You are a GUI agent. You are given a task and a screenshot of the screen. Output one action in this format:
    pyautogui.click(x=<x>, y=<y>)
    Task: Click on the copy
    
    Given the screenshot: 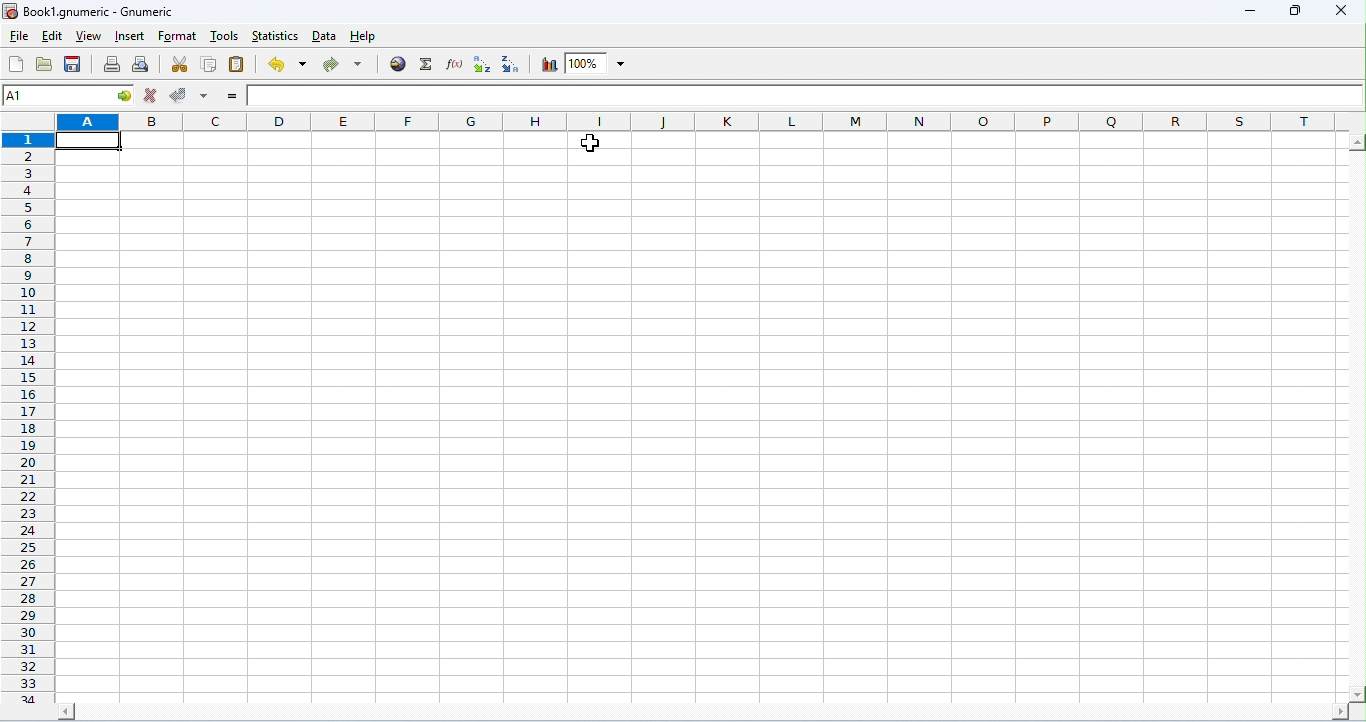 What is the action you would take?
    pyautogui.click(x=210, y=65)
    